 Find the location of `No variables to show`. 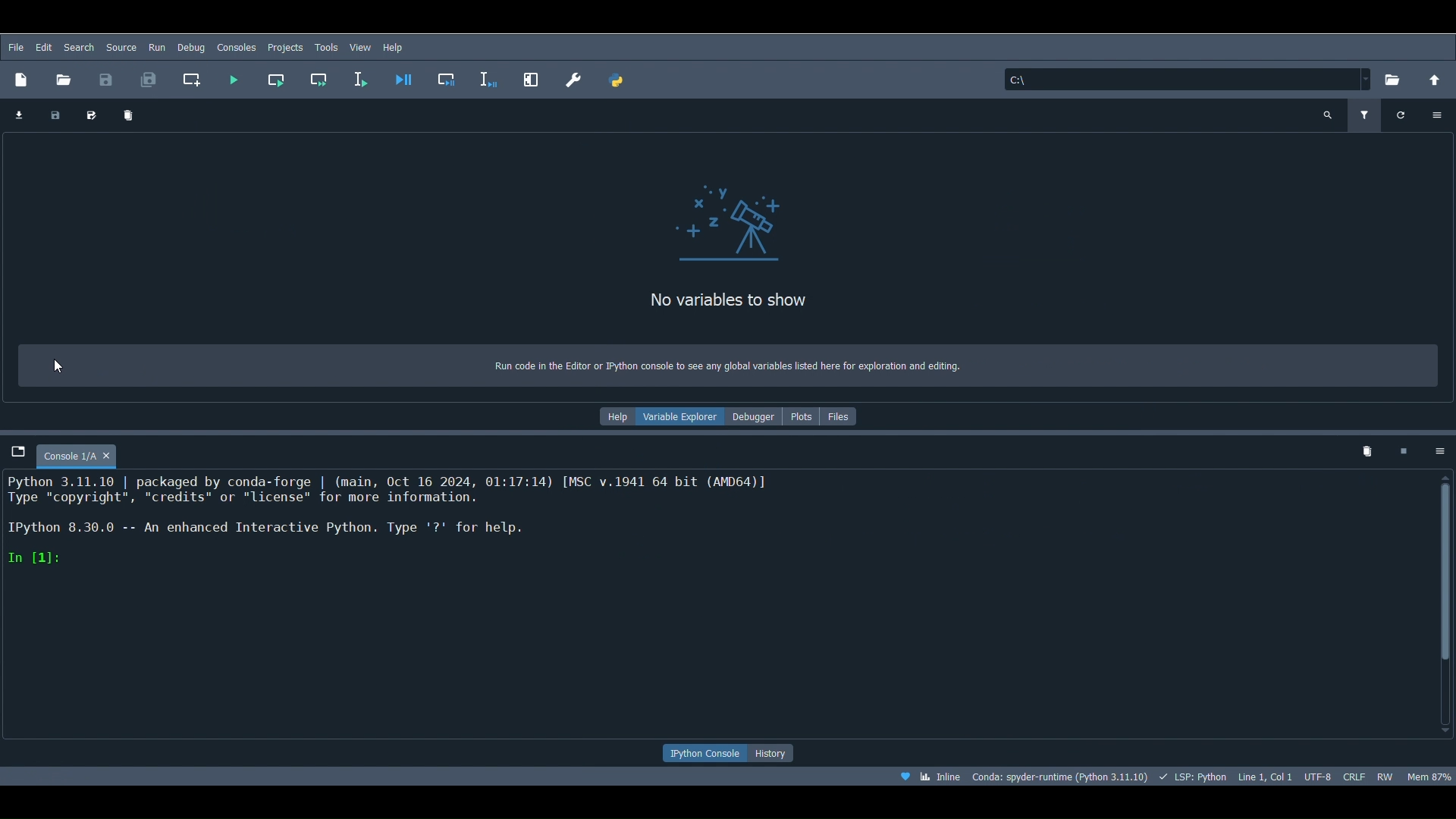

No variables to show is located at coordinates (709, 305).